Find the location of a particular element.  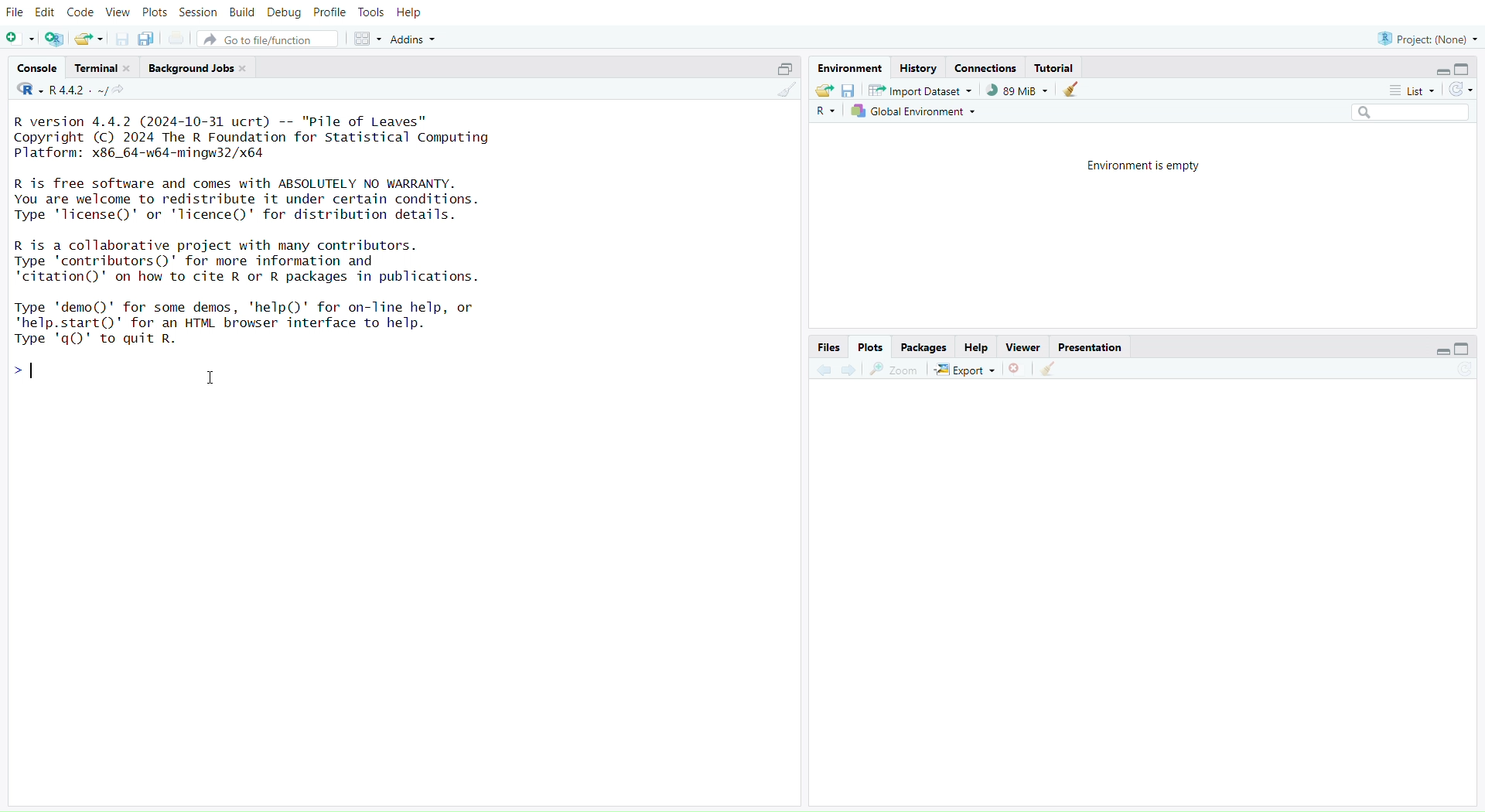

Help is located at coordinates (417, 15).